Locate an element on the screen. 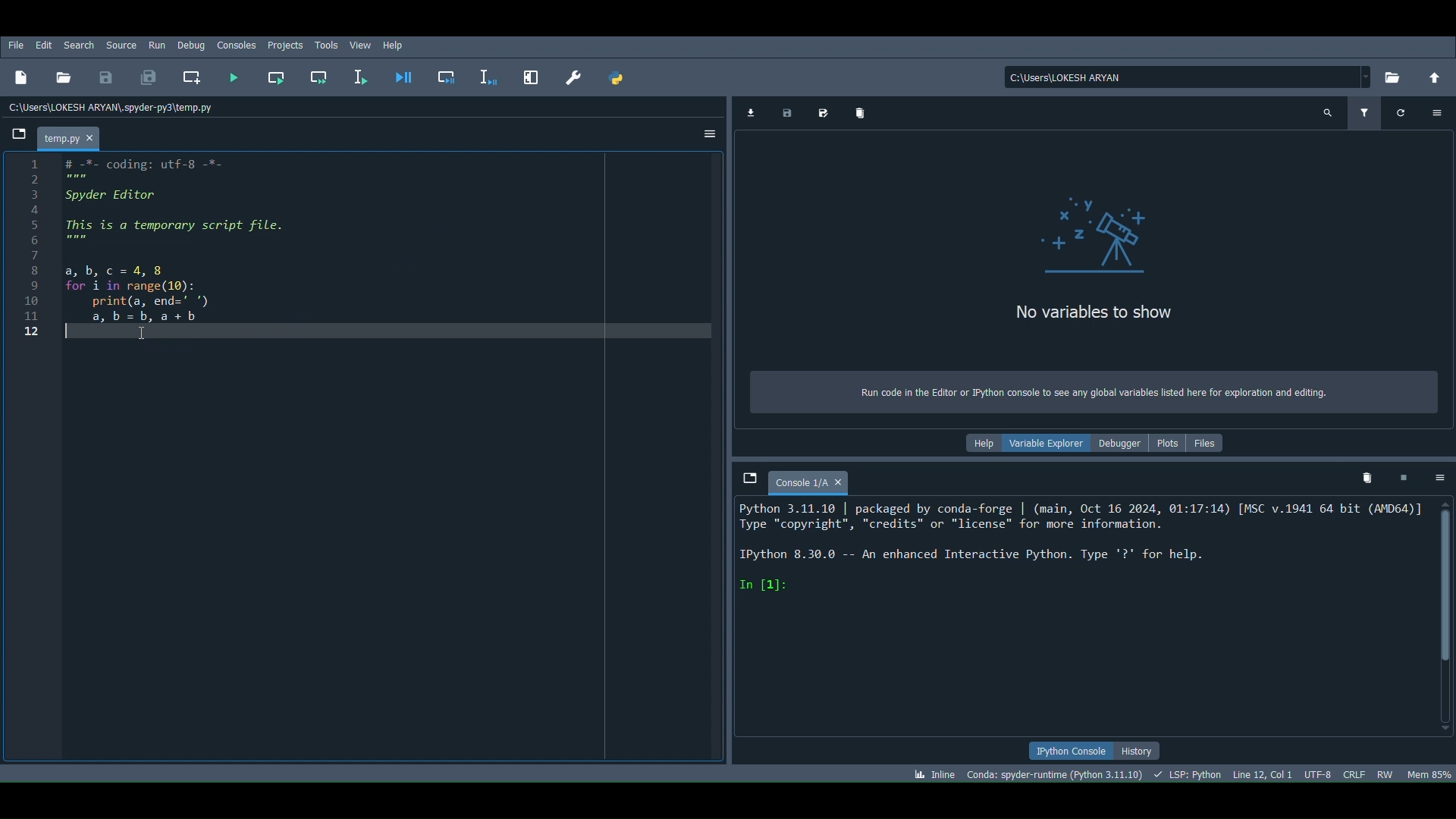  Interrupt kernel is located at coordinates (1403, 478).